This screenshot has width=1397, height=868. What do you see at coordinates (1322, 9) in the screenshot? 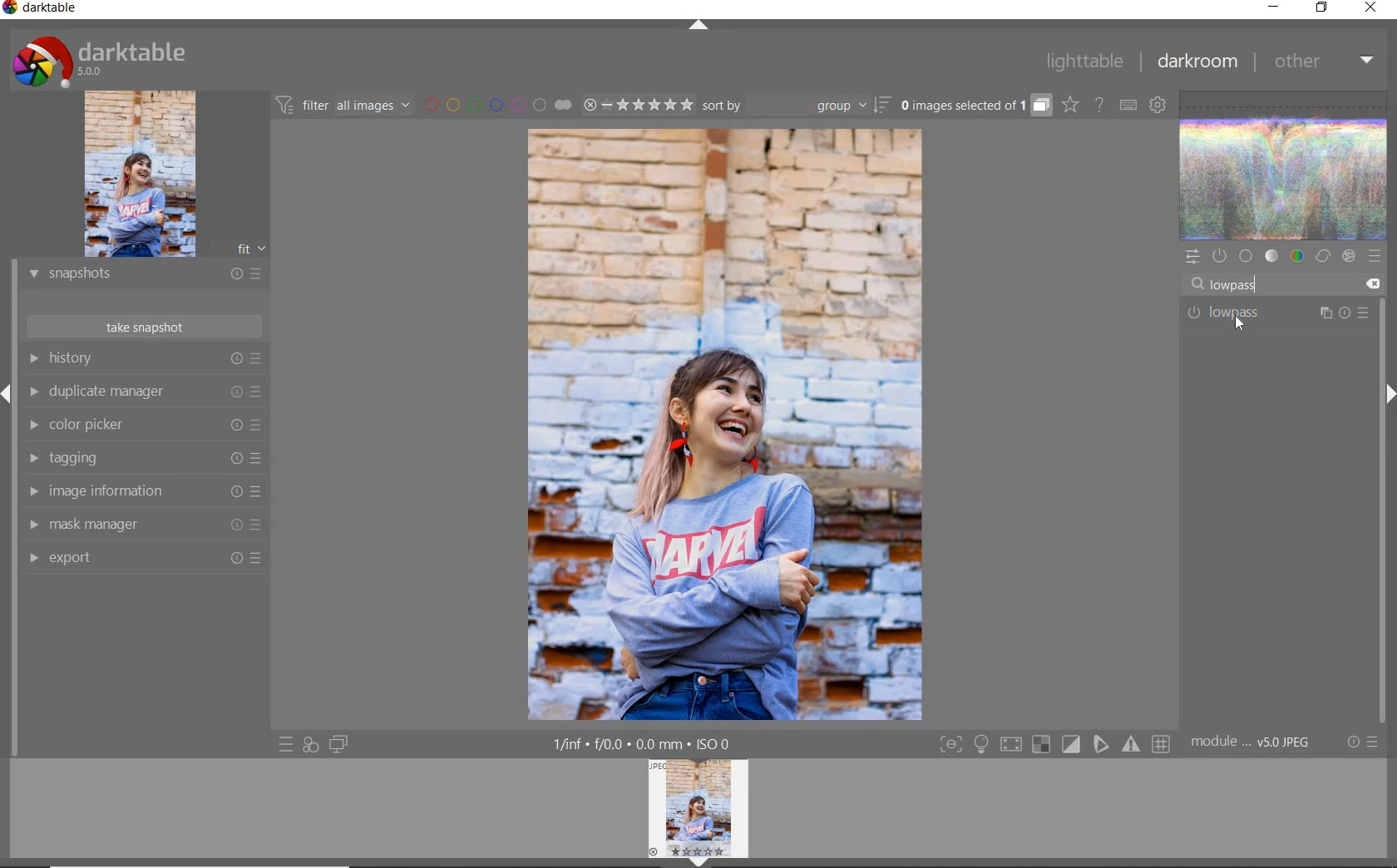
I see `restore` at bounding box center [1322, 9].